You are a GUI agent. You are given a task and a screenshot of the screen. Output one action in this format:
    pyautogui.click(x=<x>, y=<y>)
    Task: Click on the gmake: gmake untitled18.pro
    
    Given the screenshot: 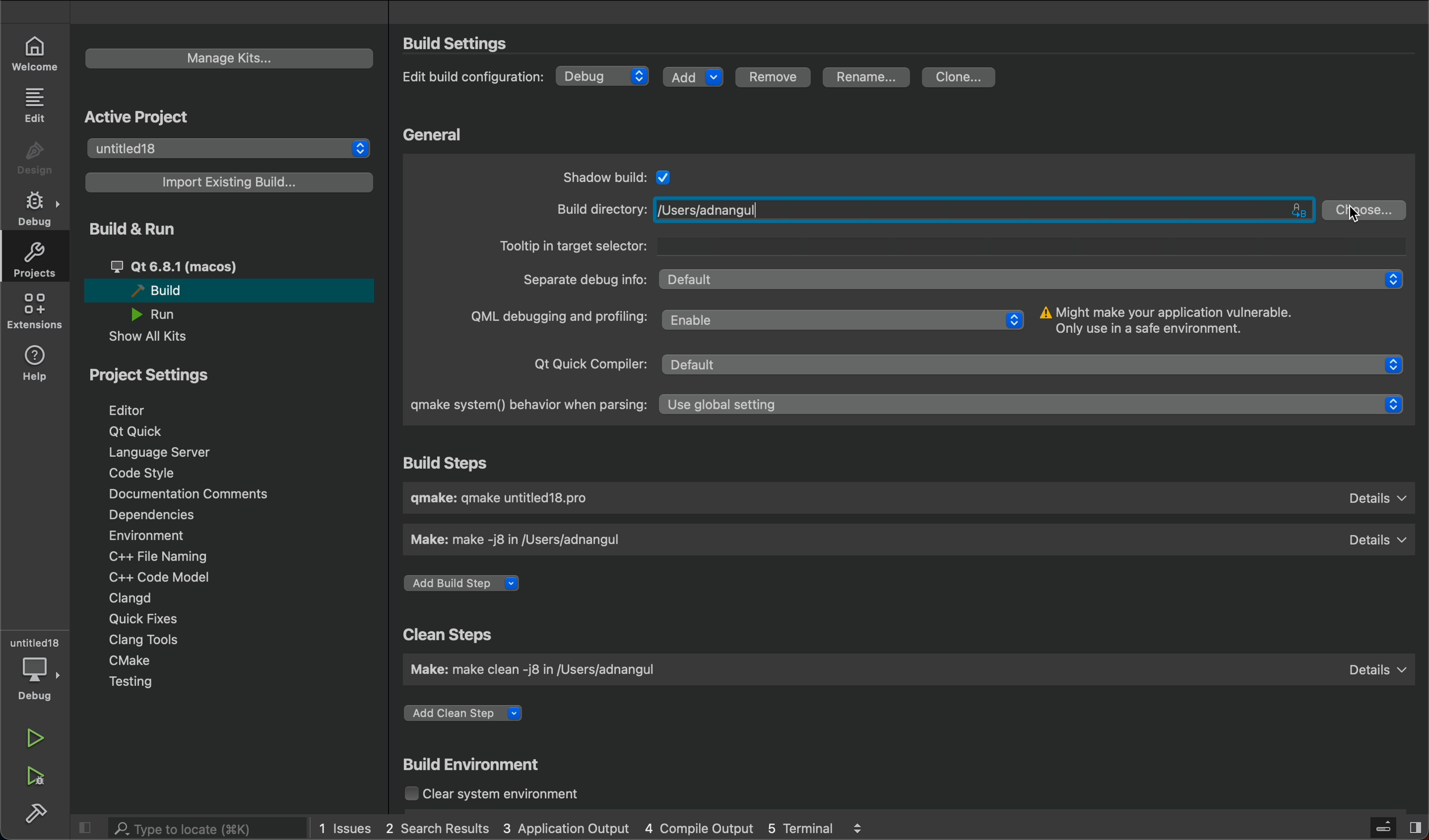 What is the action you would take?
    pyautogui.click(x=511, y=500)
    